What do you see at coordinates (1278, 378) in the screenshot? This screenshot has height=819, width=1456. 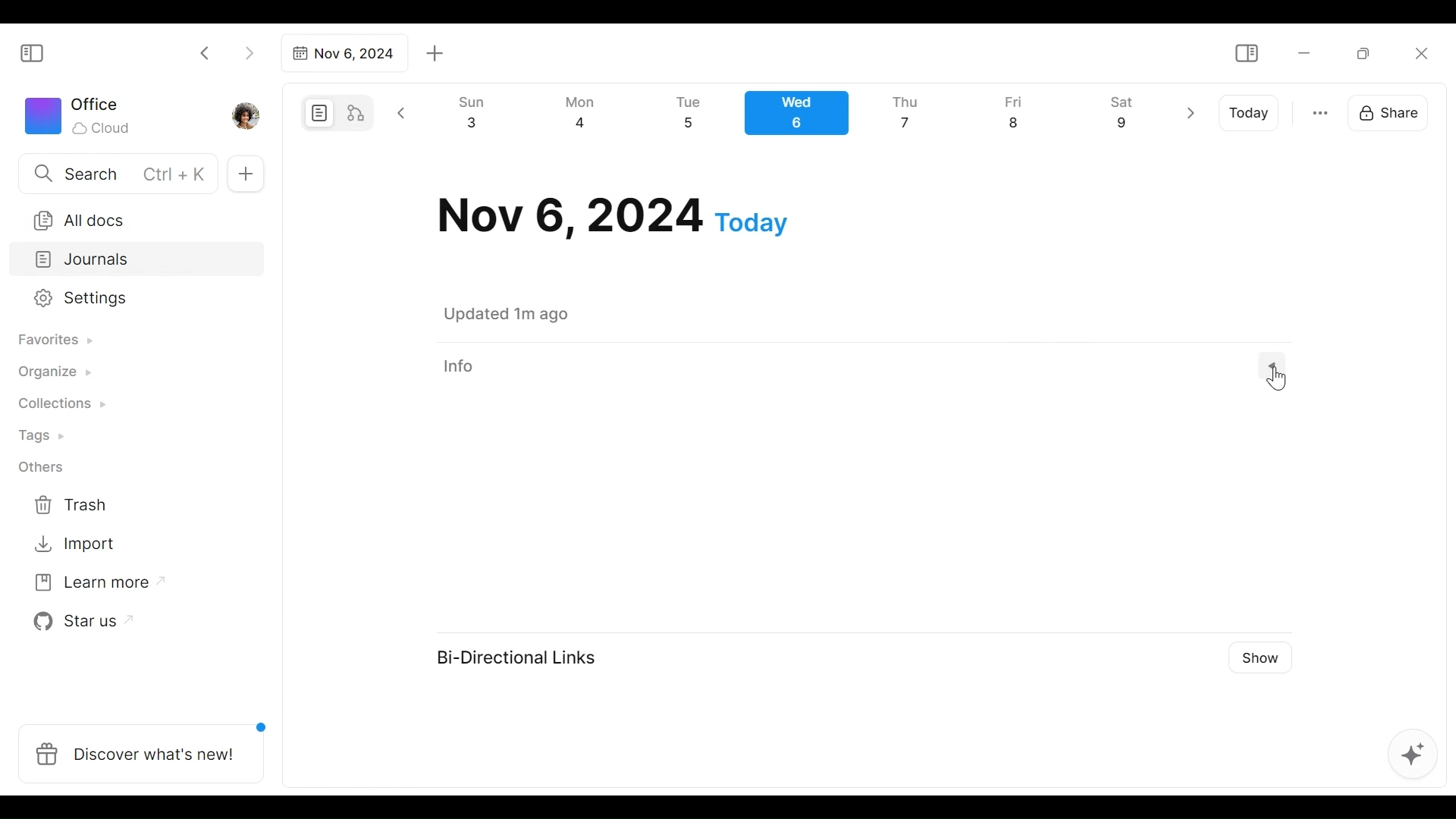 I see `cursor` at bounding box center [1278, 378].